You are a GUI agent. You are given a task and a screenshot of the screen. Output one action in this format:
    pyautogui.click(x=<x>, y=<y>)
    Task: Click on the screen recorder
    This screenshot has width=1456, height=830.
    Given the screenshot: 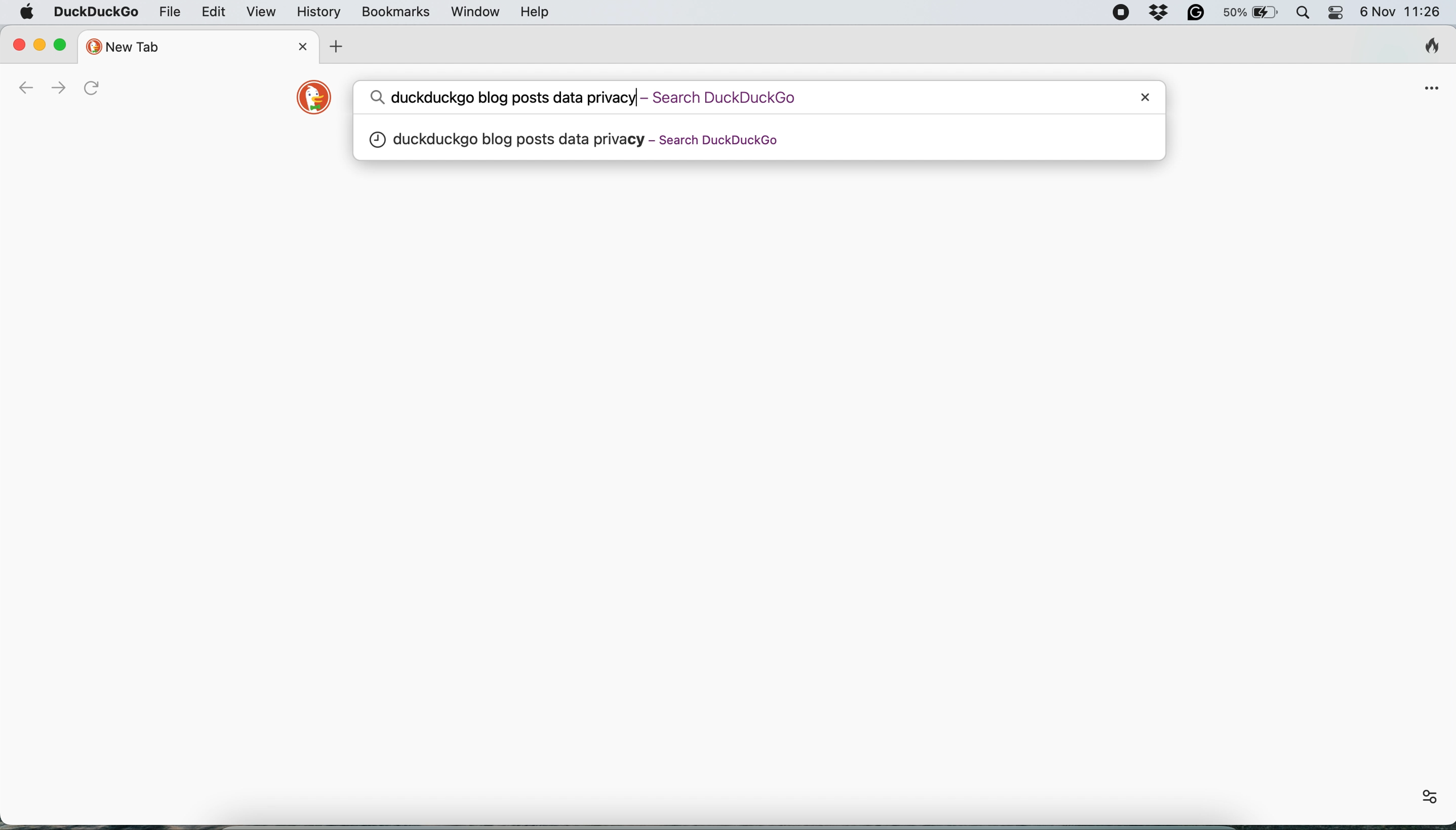 What is the action you would take?
    pyautogui.click(x=1121, y=14)
    